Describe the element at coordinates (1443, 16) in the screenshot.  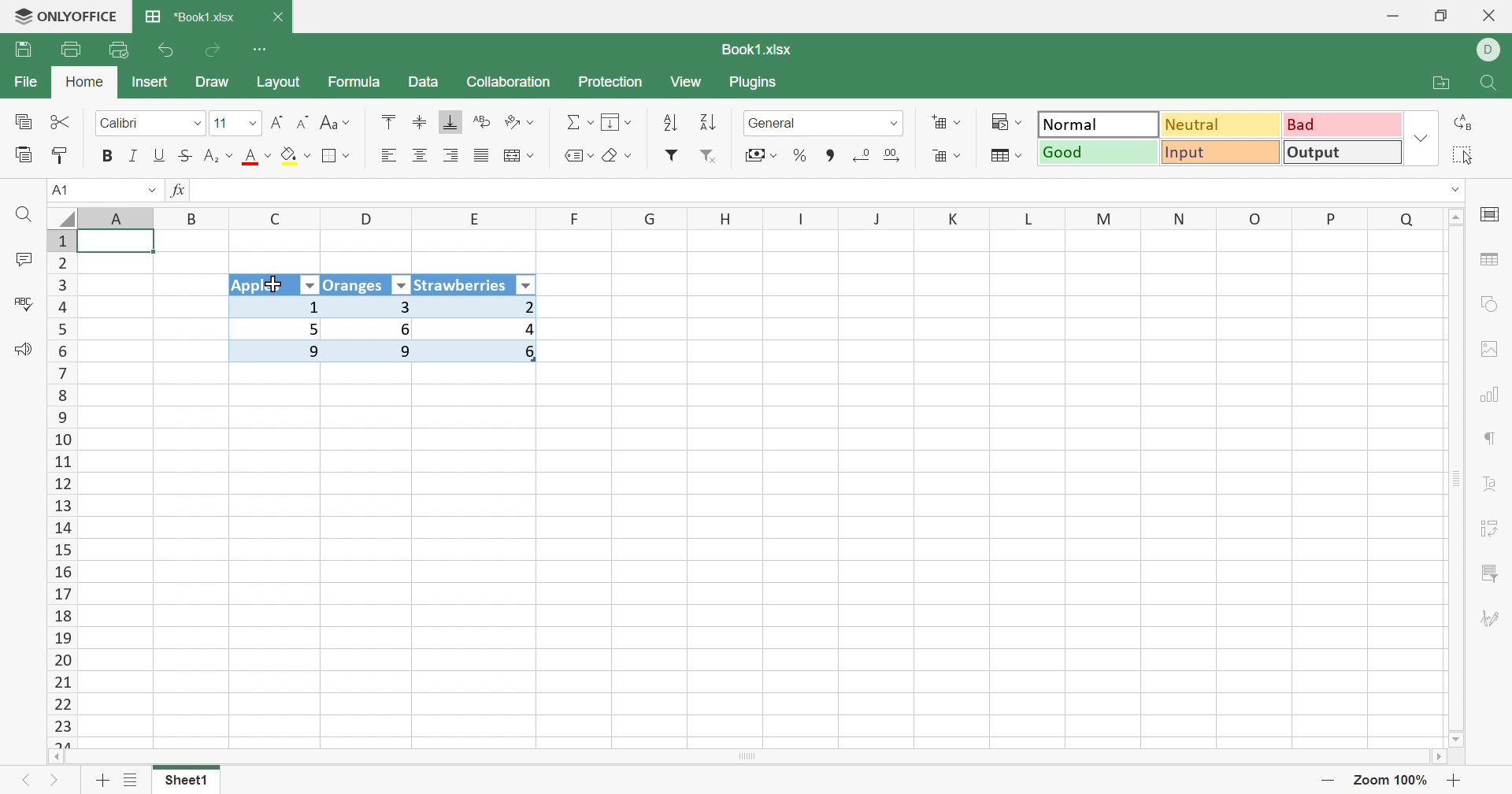
I see `Restore Down` at that location.